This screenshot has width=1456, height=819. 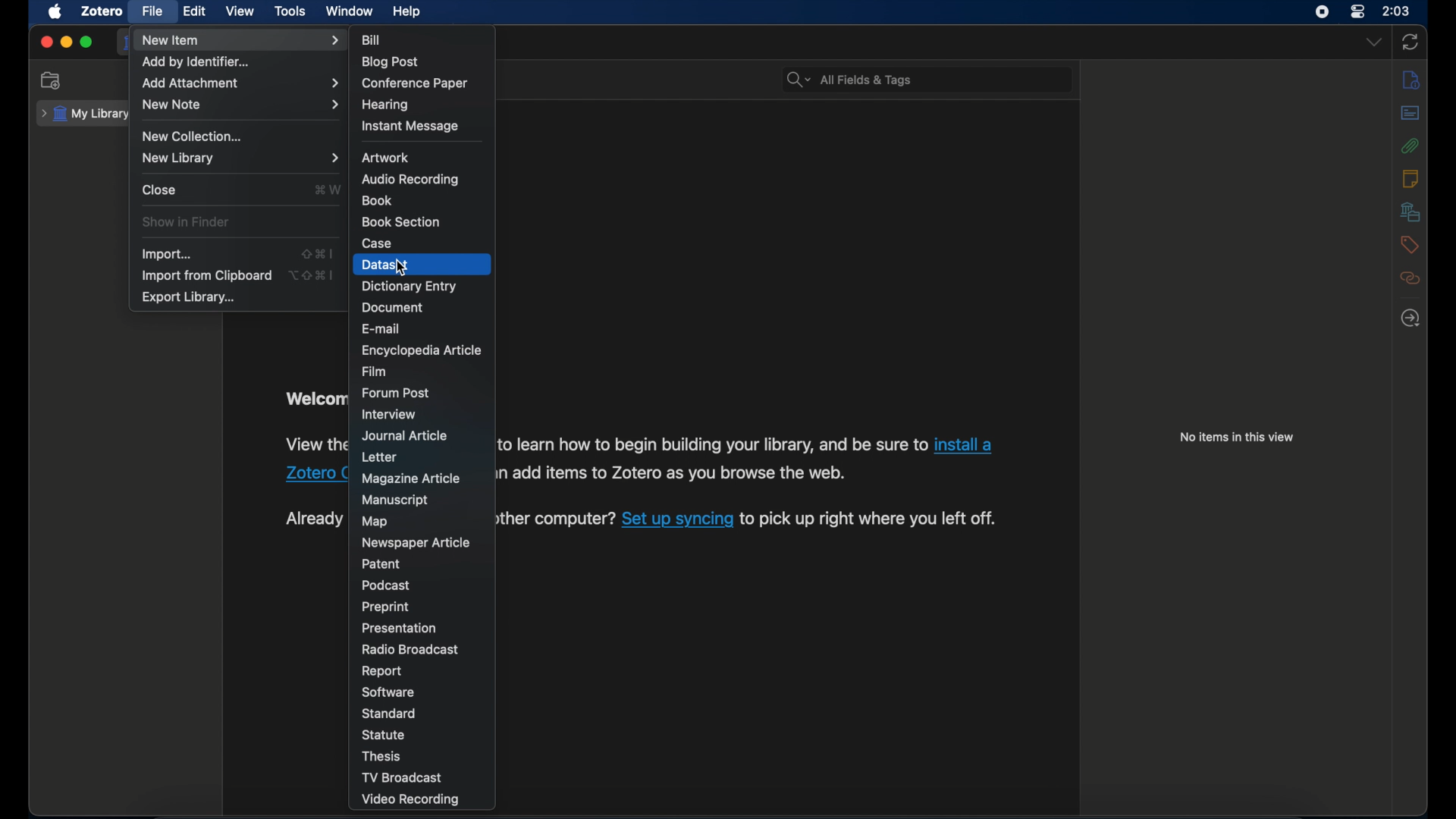 I want to click on software, so click(x=388, y=692).